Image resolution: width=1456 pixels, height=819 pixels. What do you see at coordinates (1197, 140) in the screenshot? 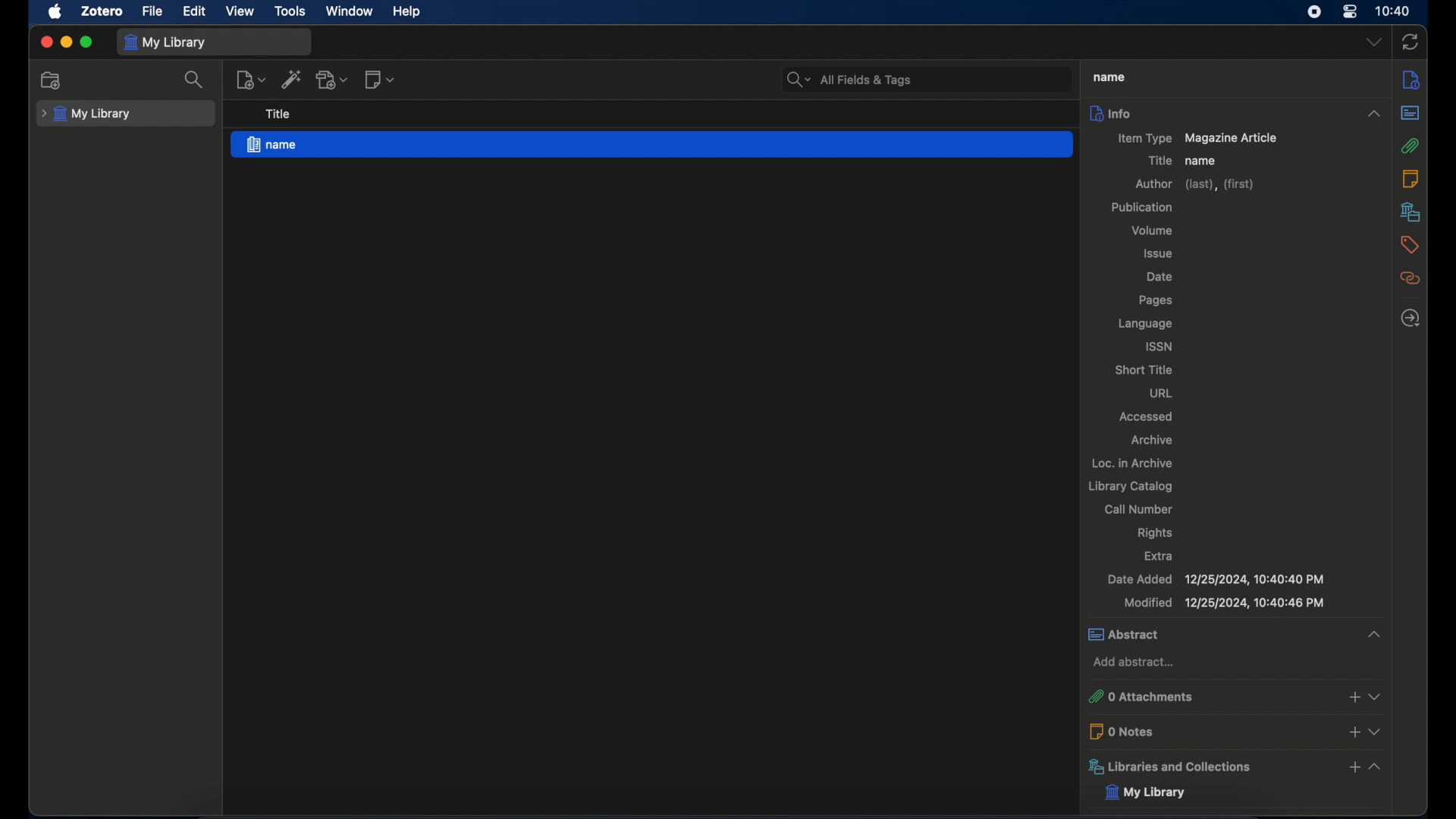
I see `item type` at bounding box center [1197, 140].